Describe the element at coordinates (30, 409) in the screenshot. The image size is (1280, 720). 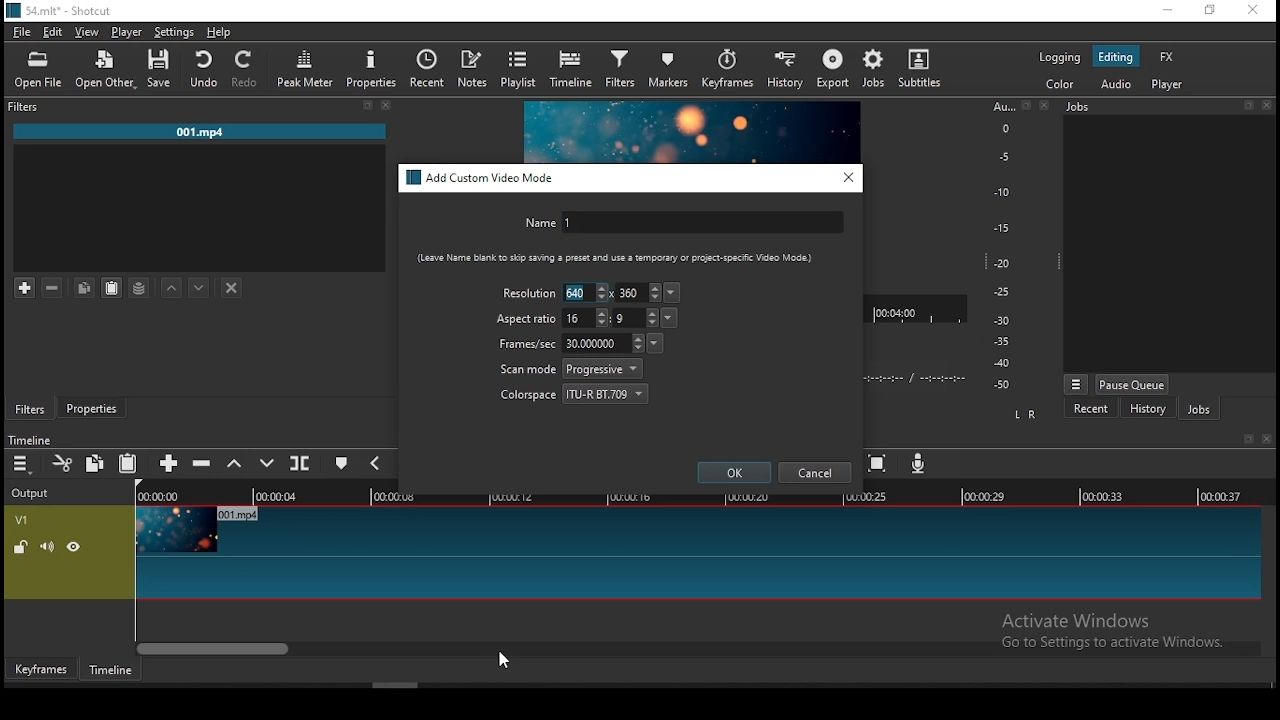
I see `filters` at that location.